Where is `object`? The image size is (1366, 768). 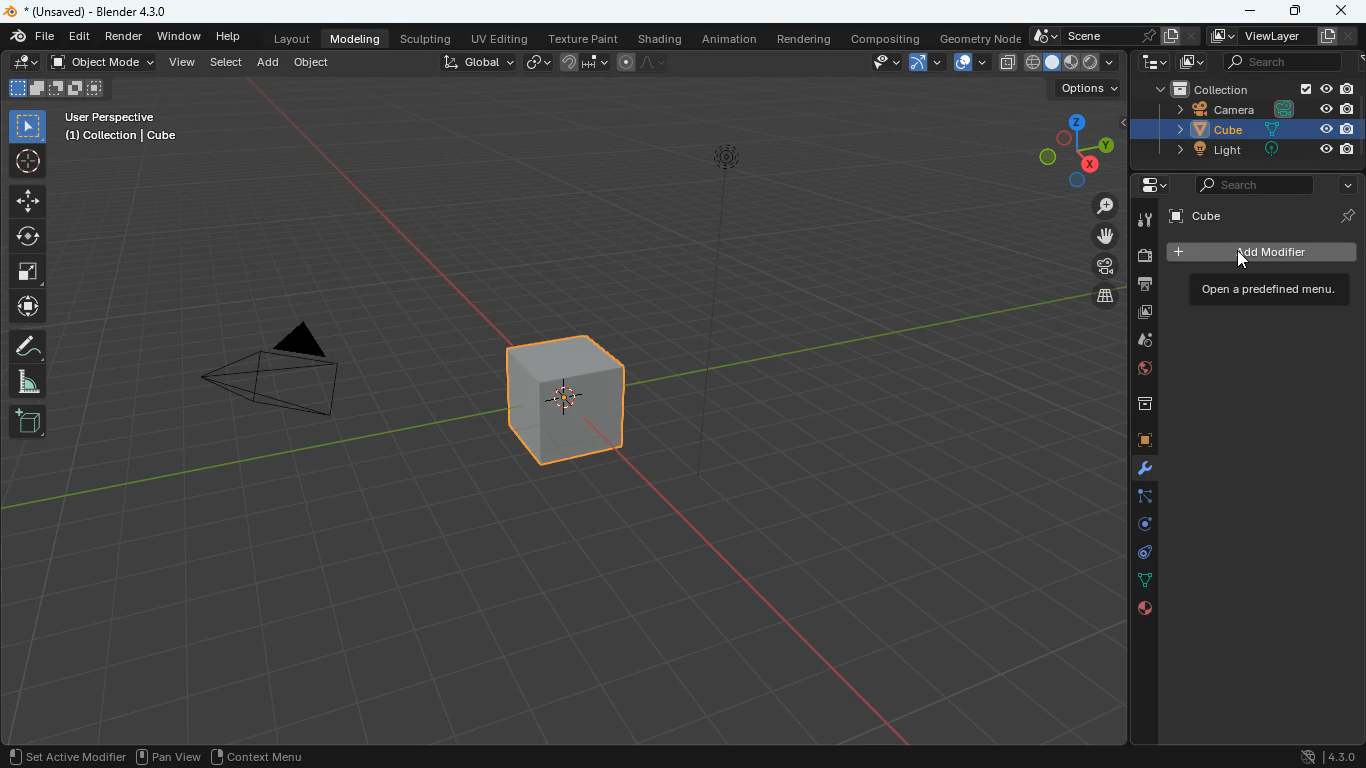
object is located at coordinates (314, 65).